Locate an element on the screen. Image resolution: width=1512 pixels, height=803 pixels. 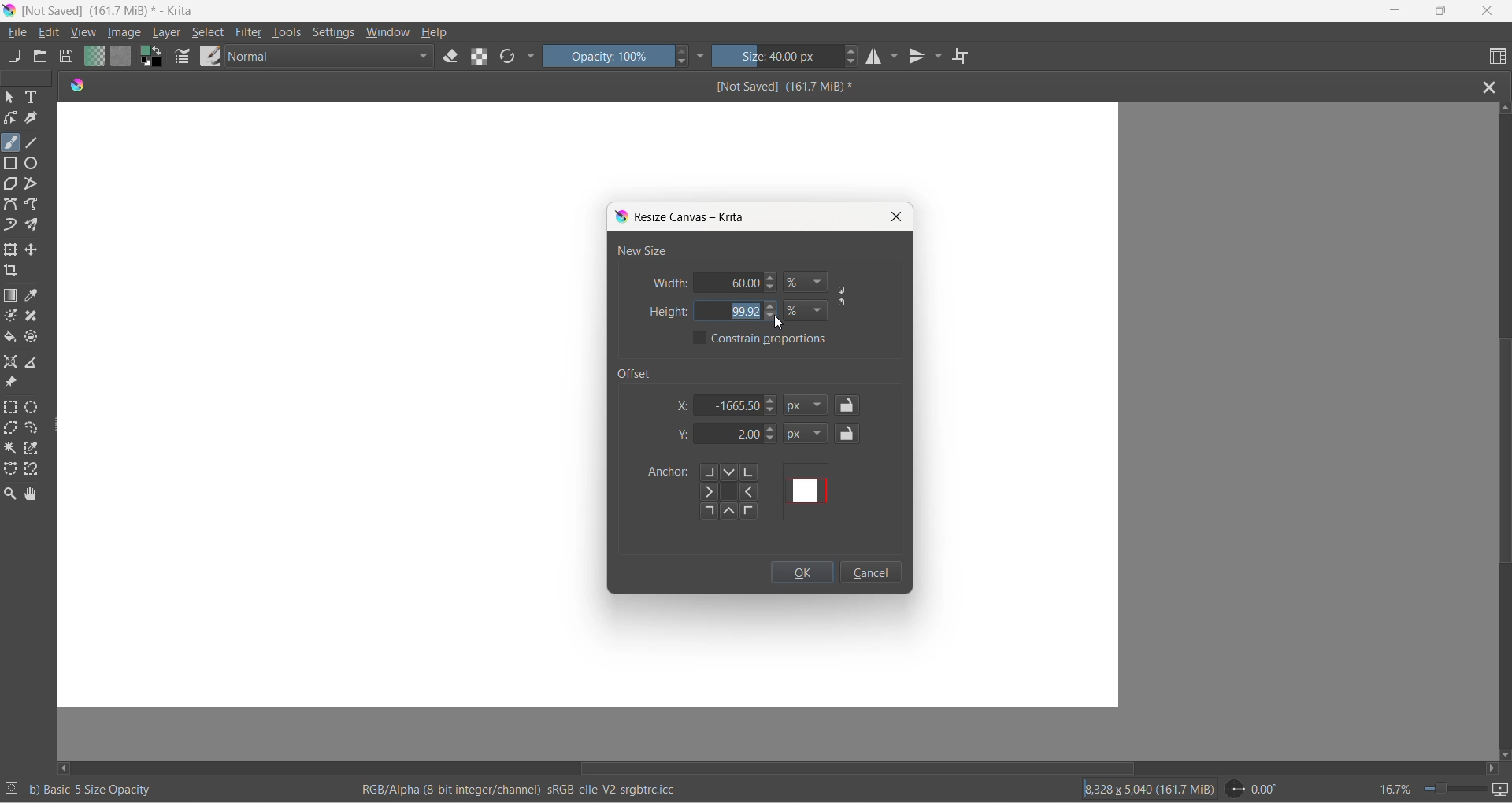
assistant tool is located at coordinates (13, 363).